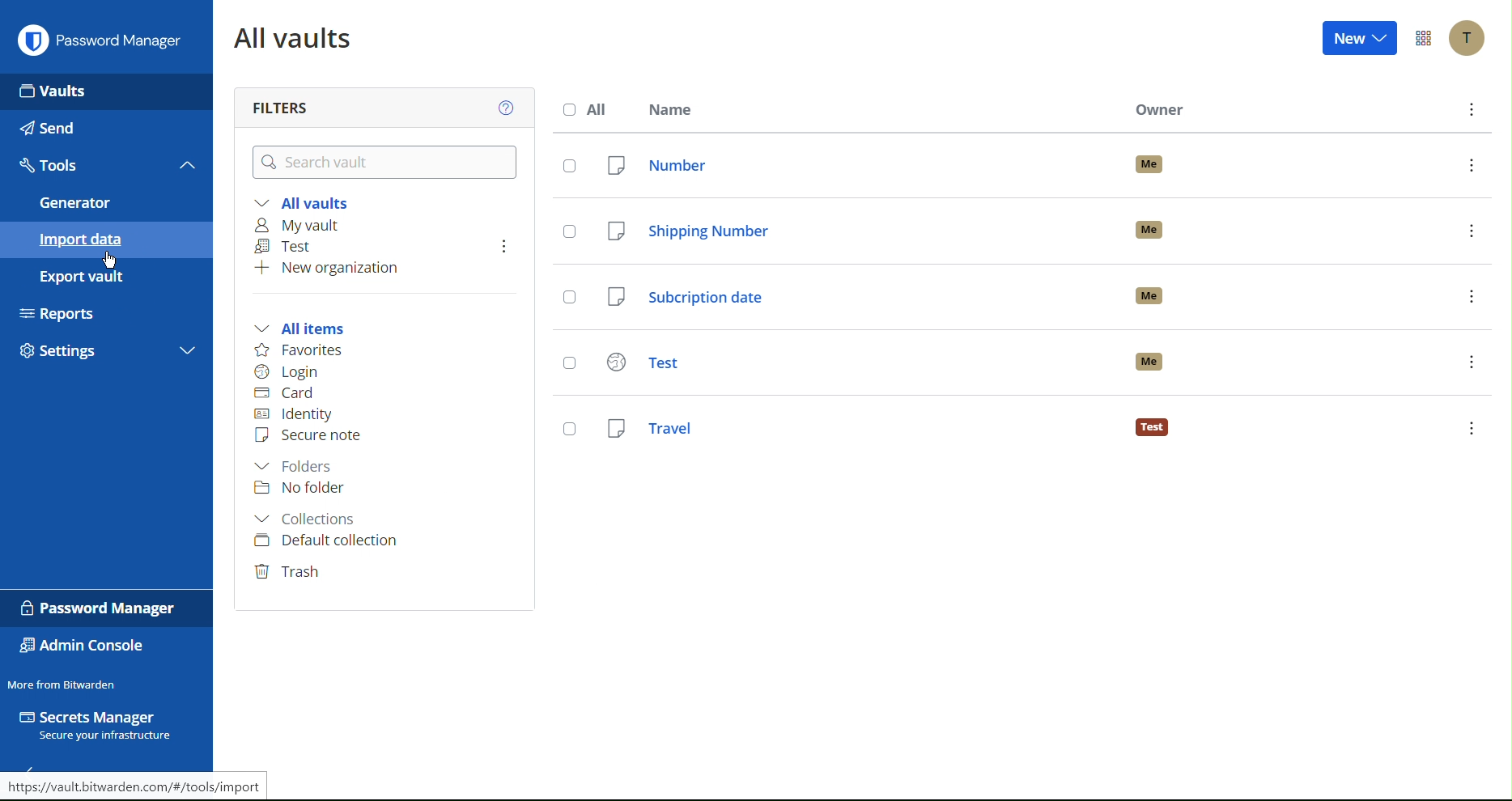 The width and height of the screenshot is (1512, 801). Describe the element at coordinates (188, 164) in the screenshot. I see `collapse tools` at that location.